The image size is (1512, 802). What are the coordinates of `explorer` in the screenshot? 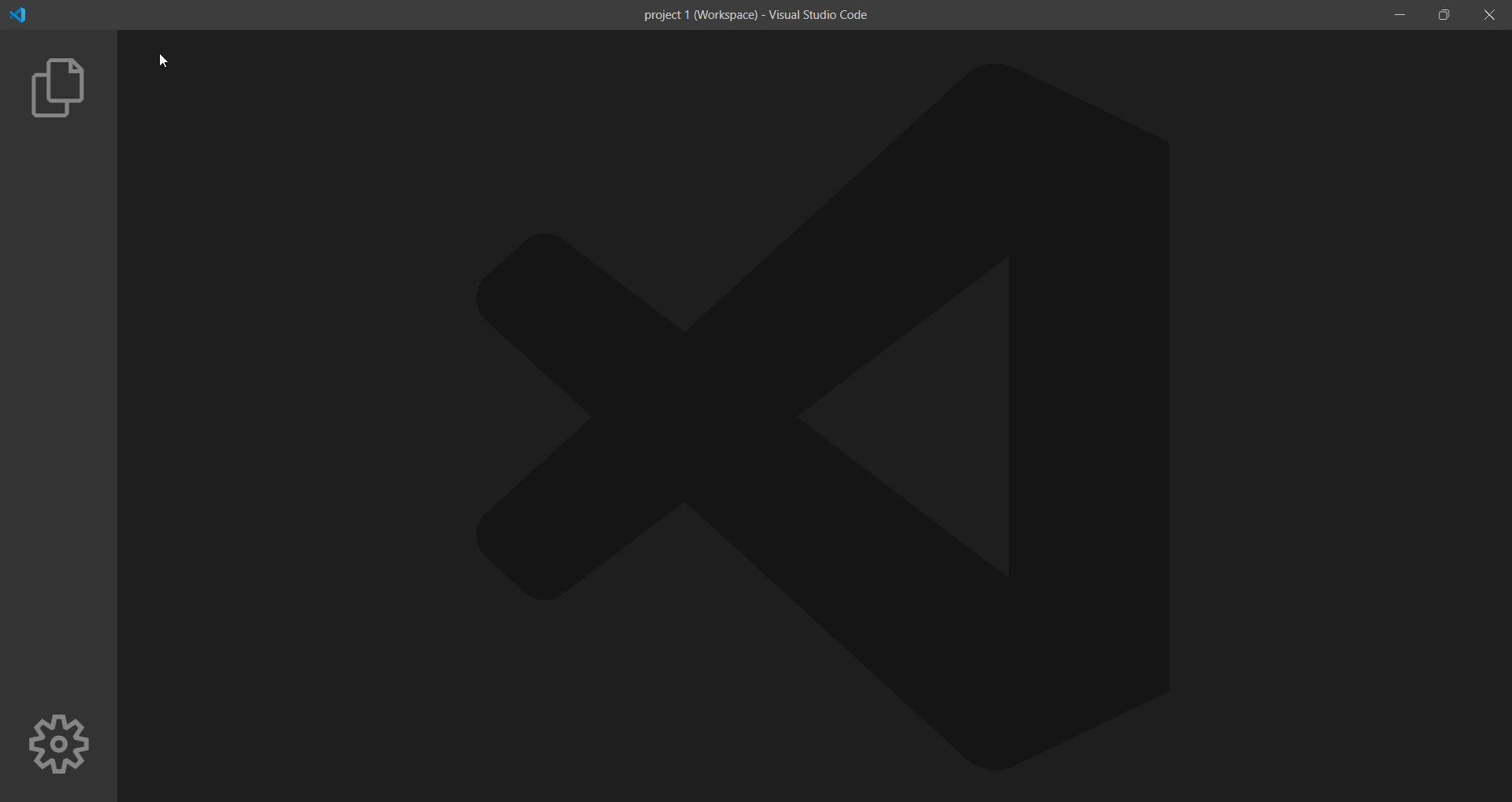 It's located at (56, 86).